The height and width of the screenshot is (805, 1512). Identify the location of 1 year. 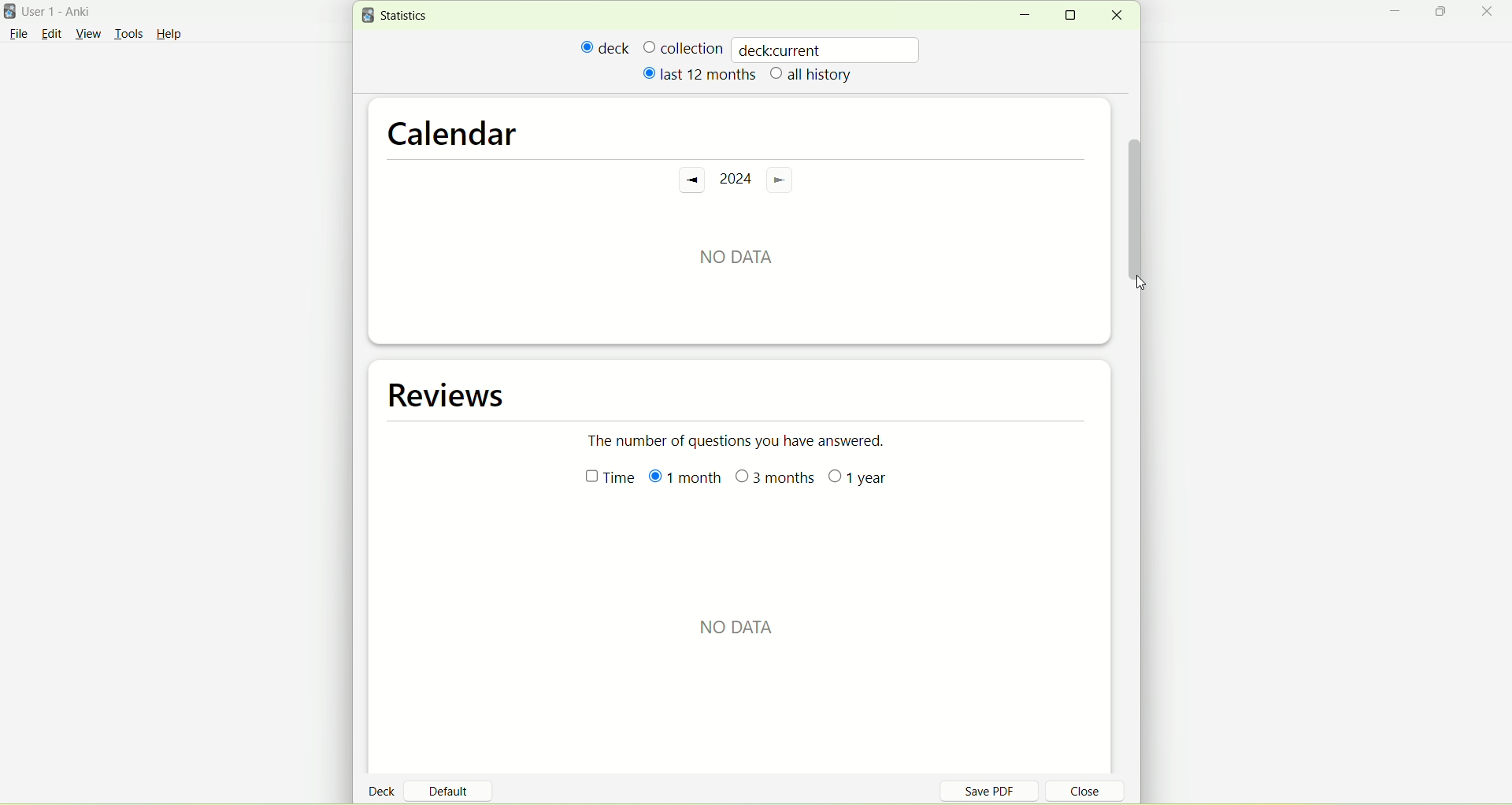
(859, 482).